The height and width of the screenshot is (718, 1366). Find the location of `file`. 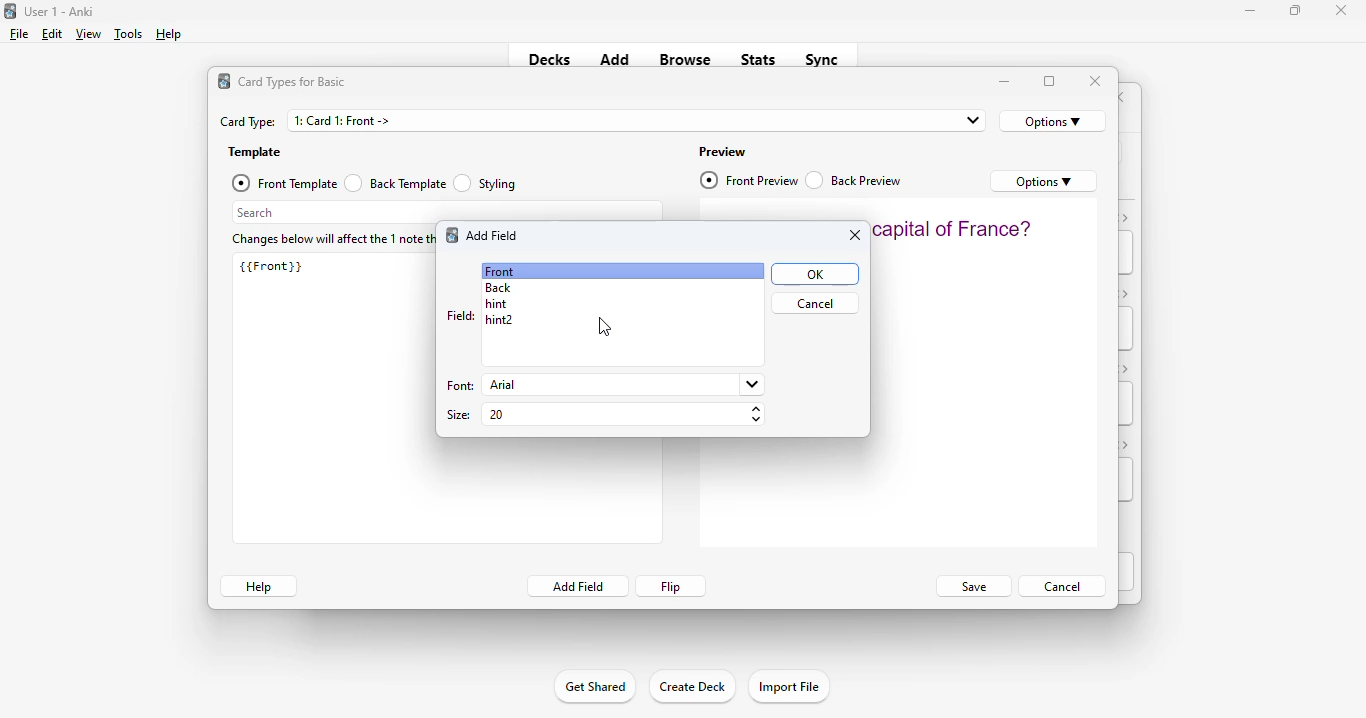

file is located at coordinates (19, 34).